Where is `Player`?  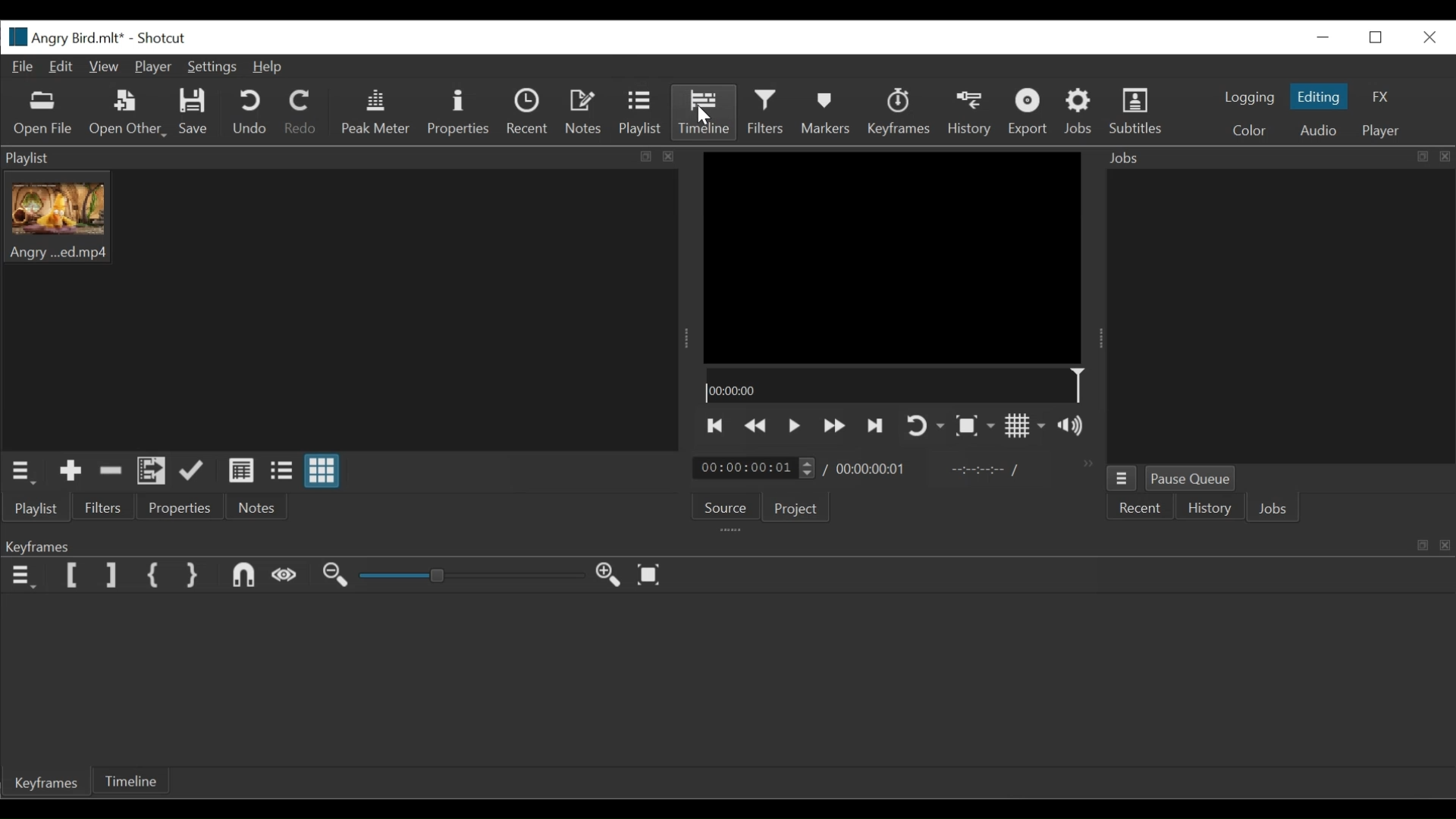 Player is located at coordinates (1385, 132).